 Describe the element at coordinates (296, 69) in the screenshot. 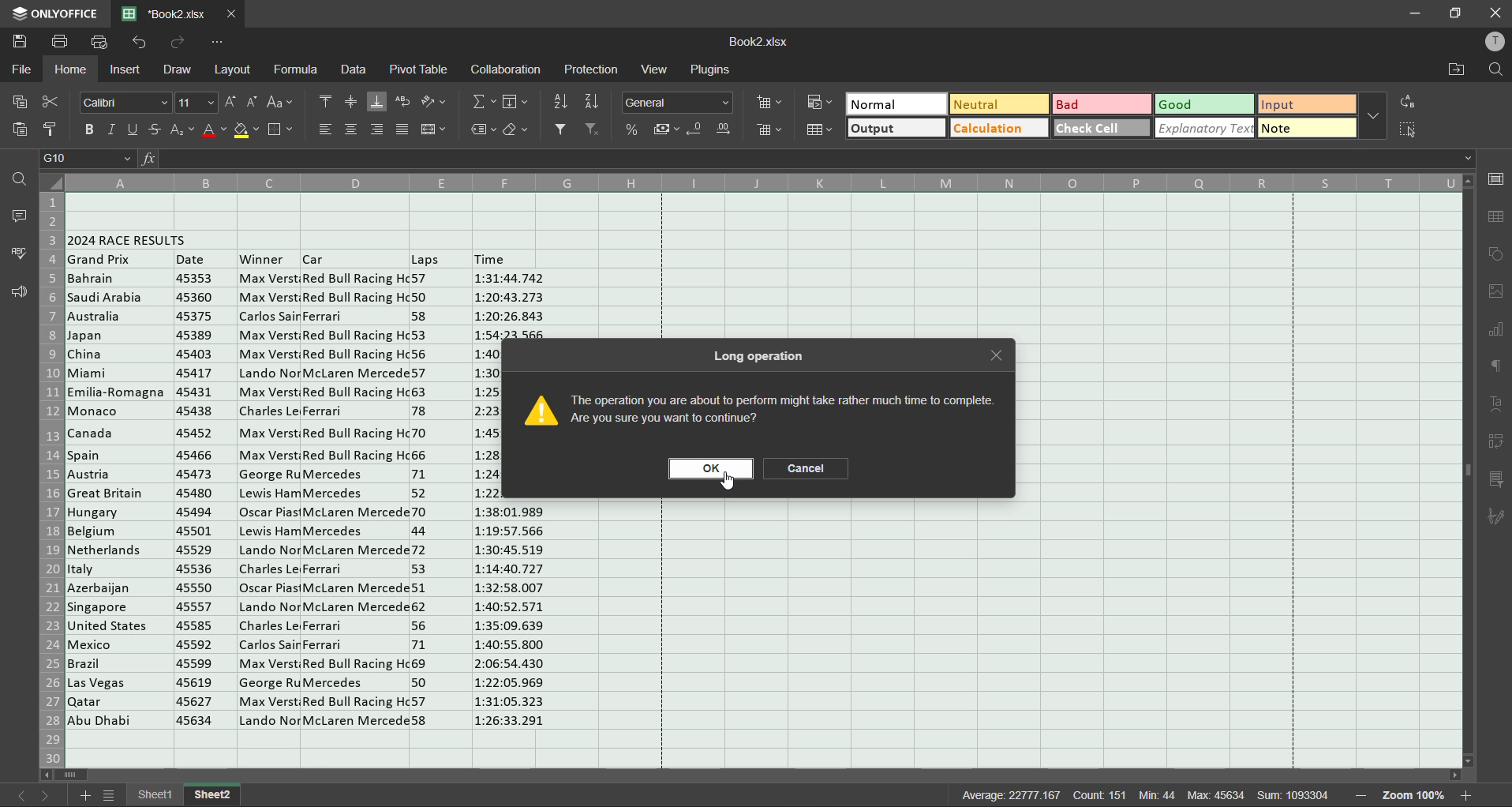

I see `formula` at that location.